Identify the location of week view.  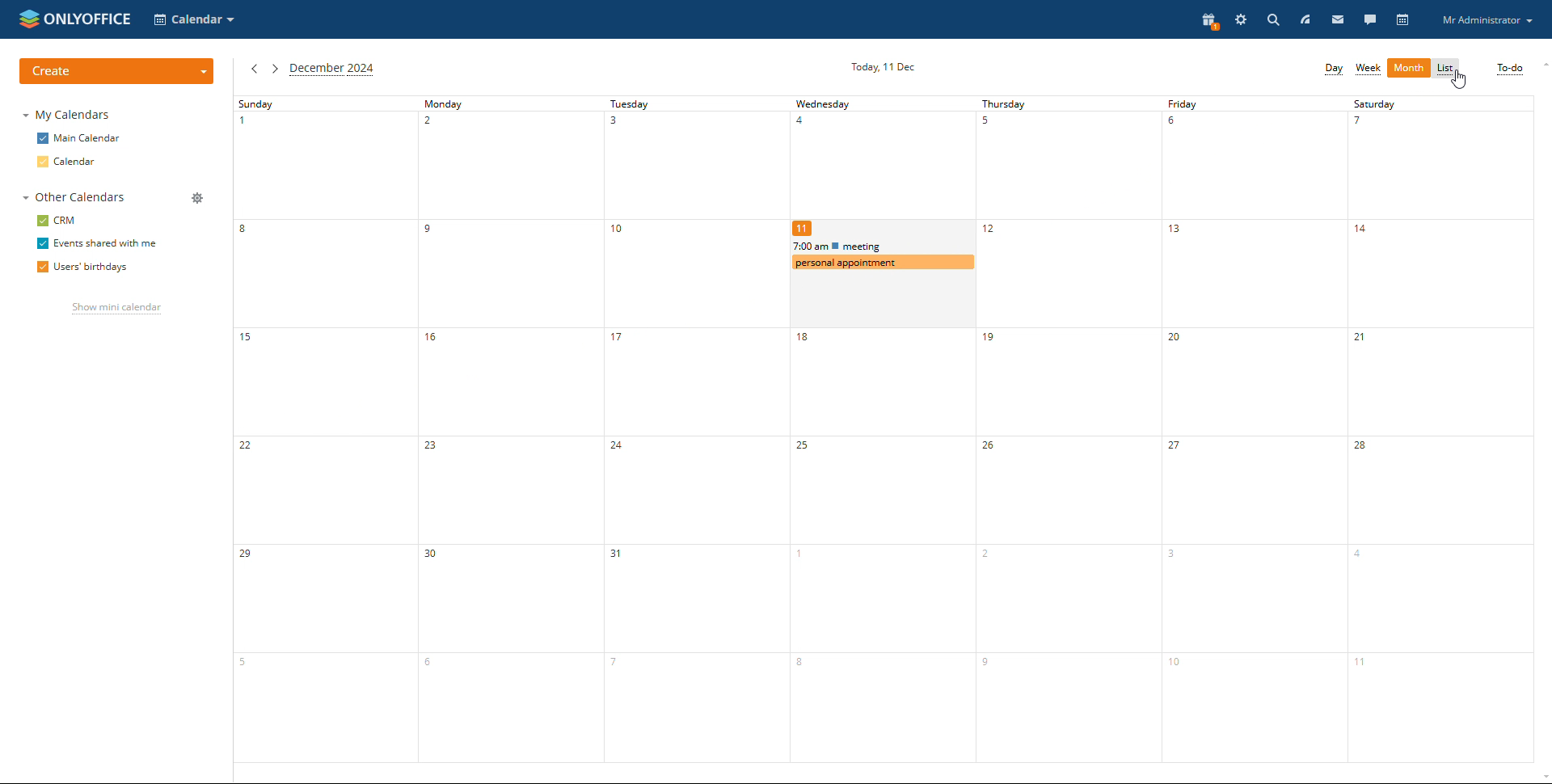
(1367, 69).